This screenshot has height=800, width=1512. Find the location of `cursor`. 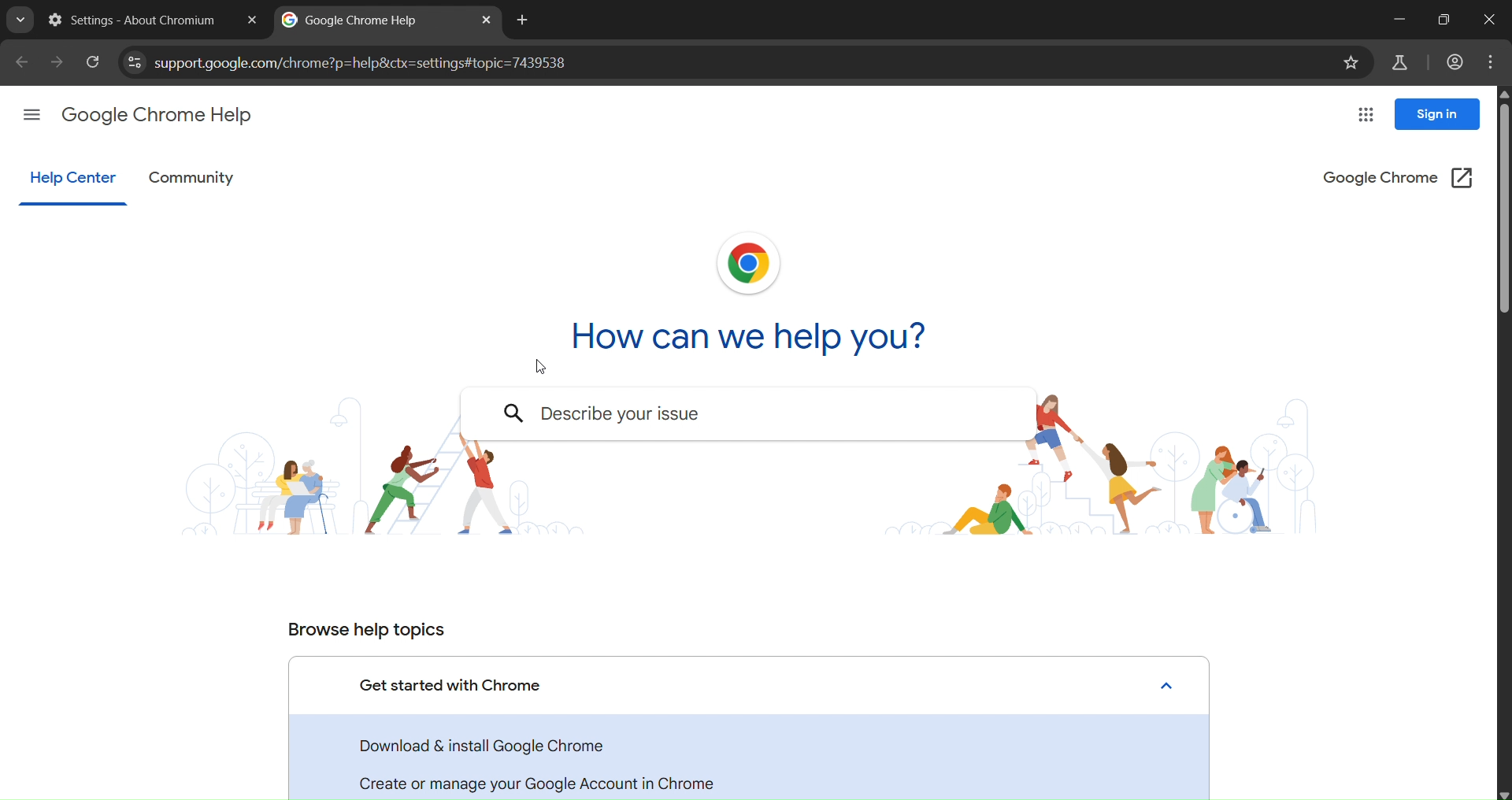

cursor is located at coordinates (542, 365).